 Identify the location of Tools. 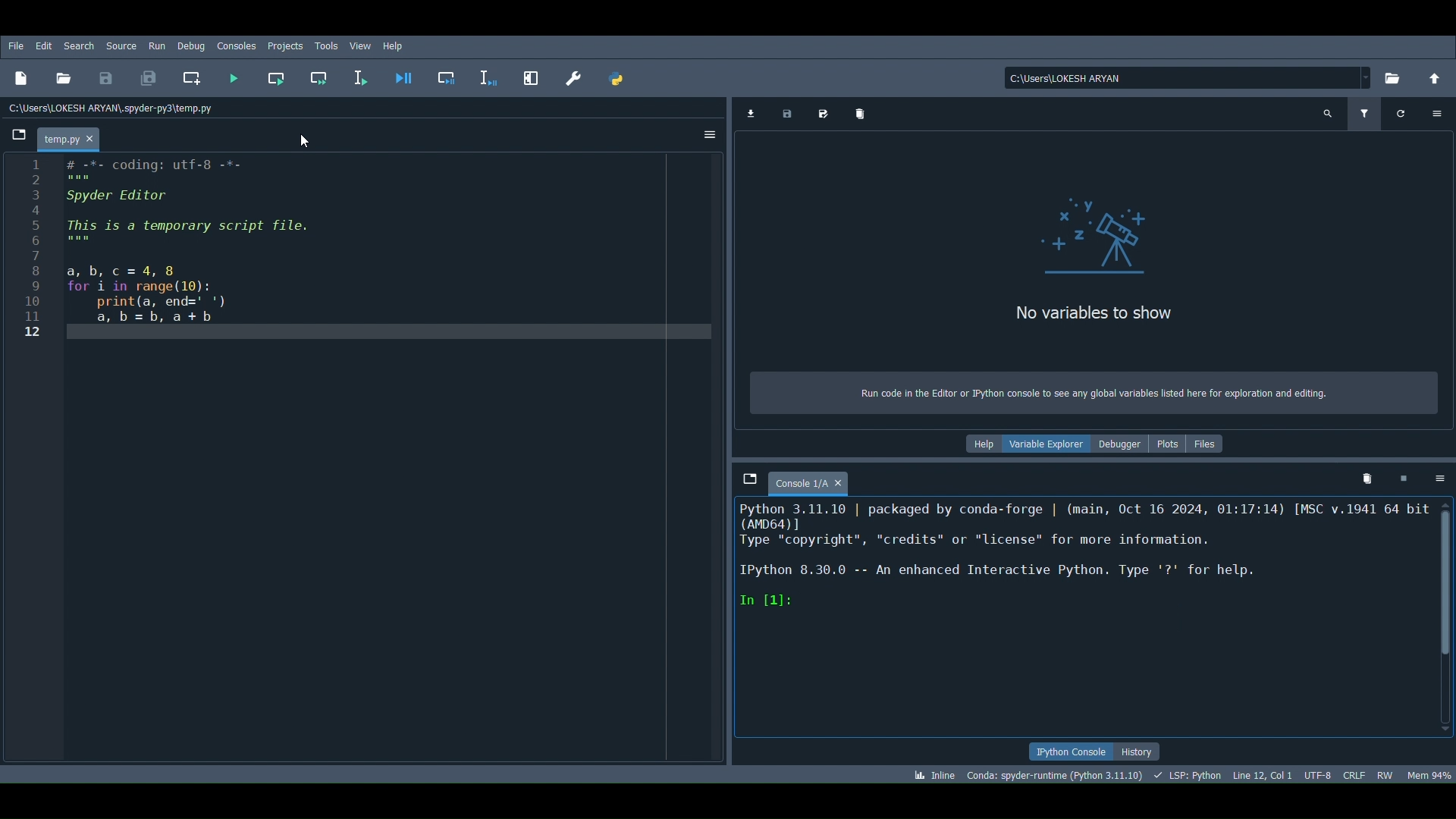
(328, 42).